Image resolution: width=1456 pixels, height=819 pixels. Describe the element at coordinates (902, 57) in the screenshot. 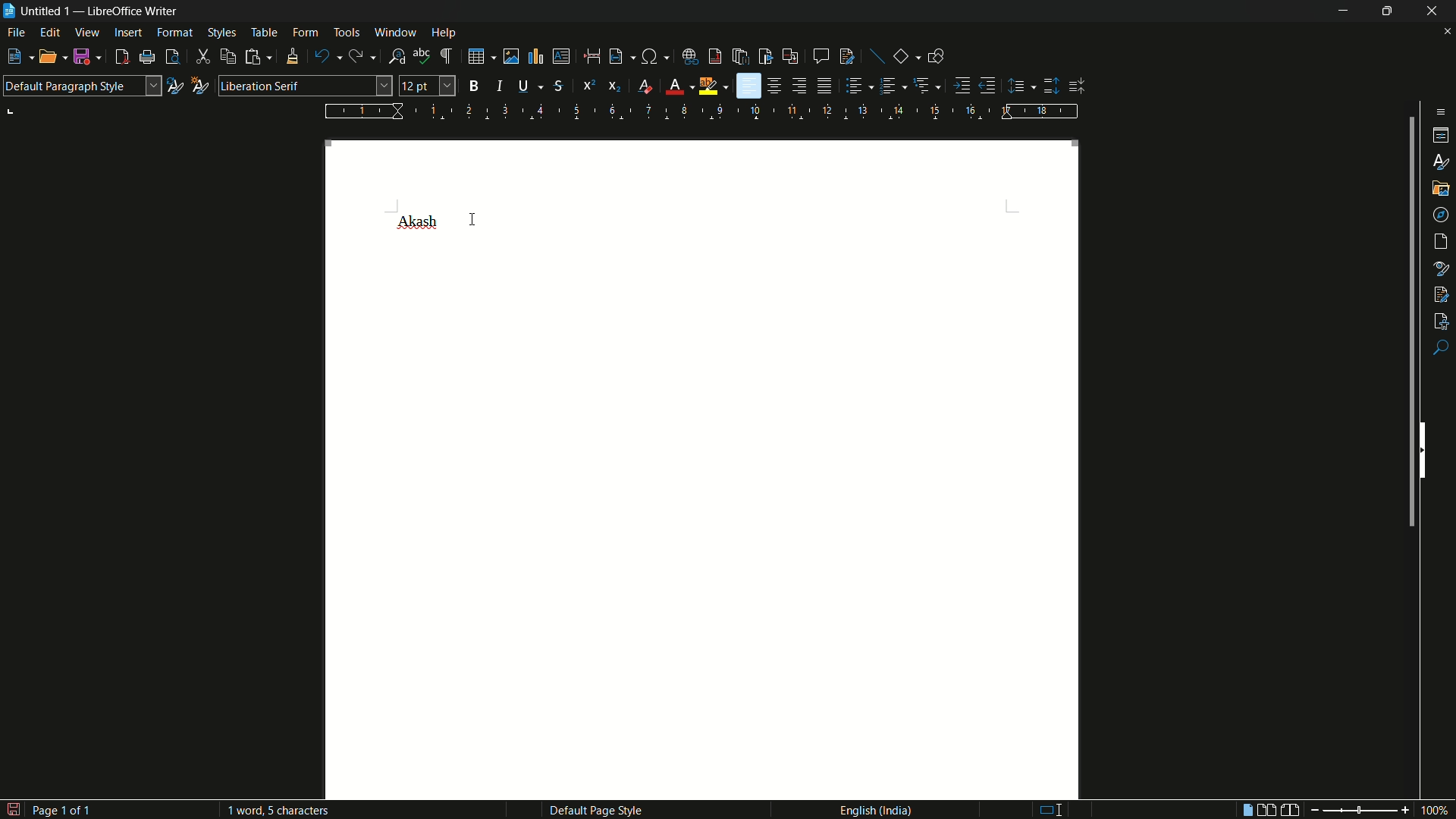

I see `basic shapes` at that location.